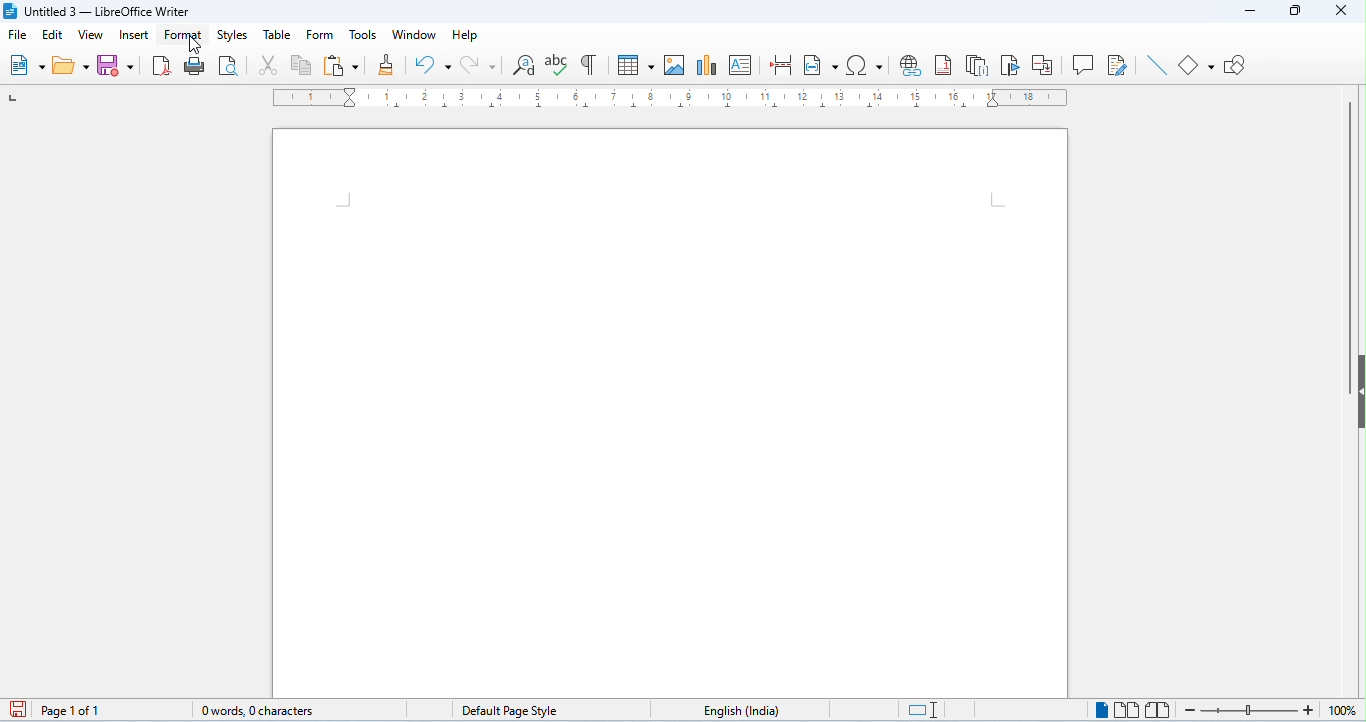 This screenshot has height=722, width=1366. Describe the element at coordinates (365, 36) in the screenshot. I see `tools` at that location.